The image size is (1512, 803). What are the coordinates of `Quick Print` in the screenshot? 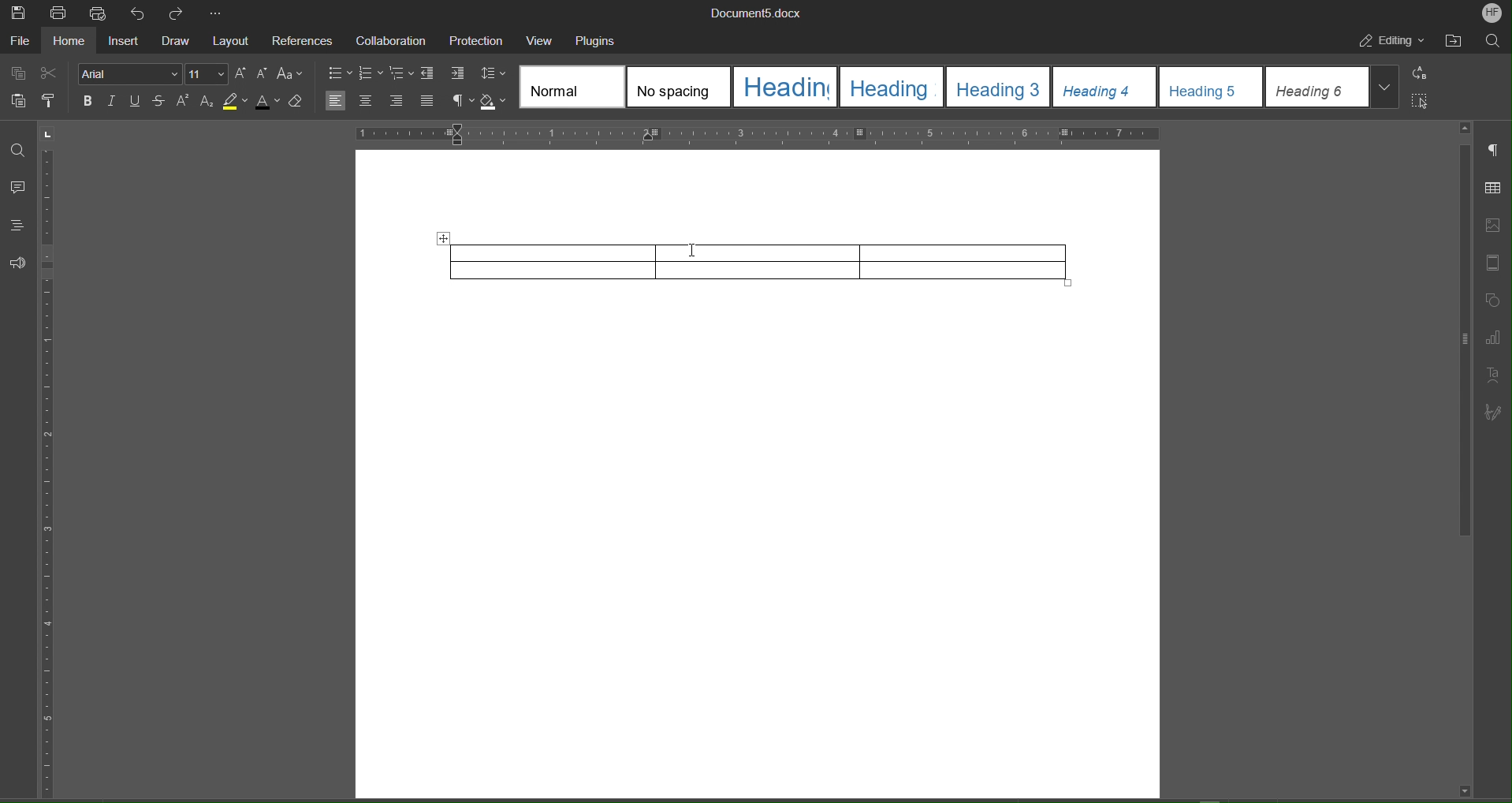 It's located at (102, 14).